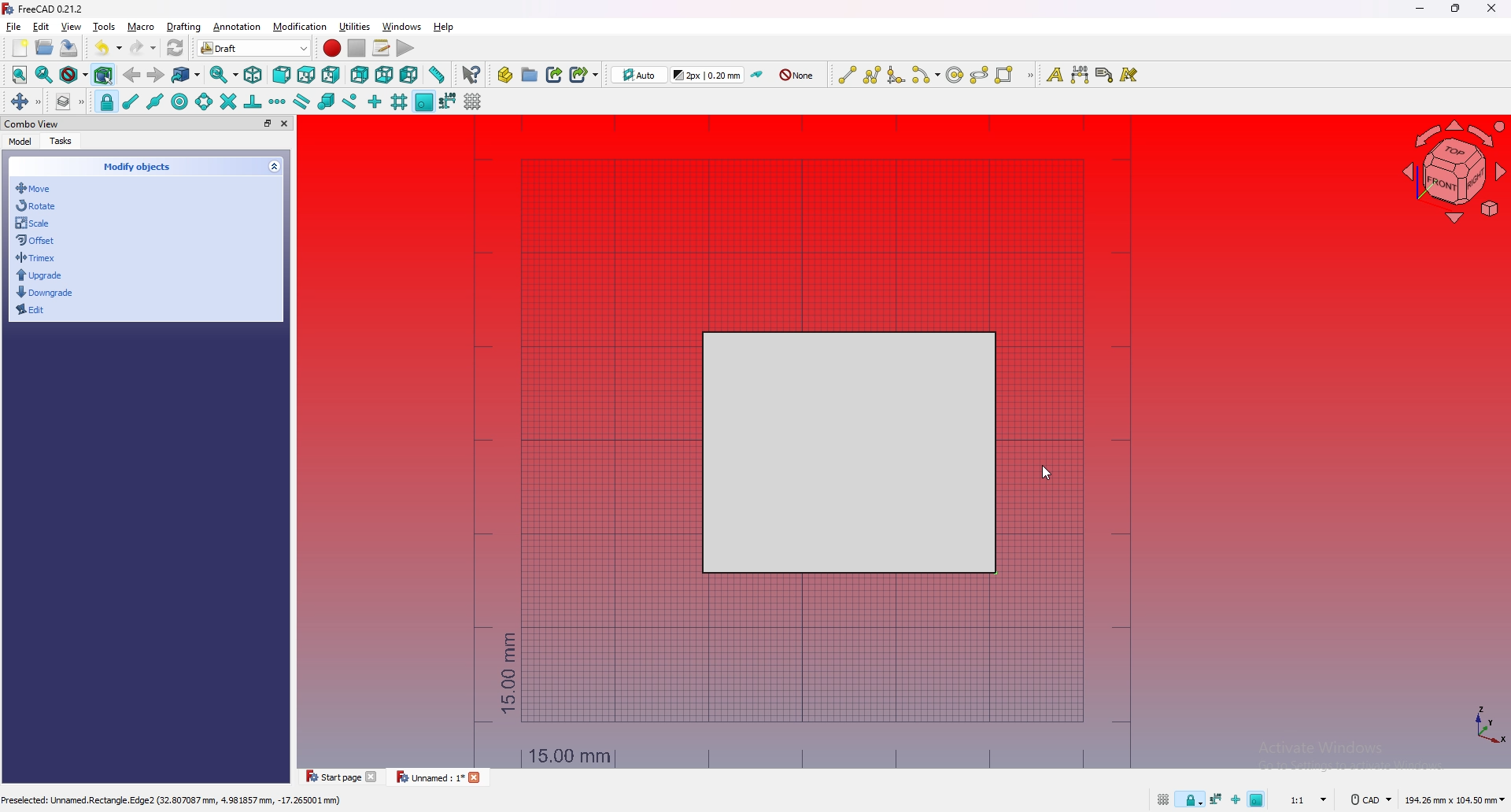 The width and height of the screenshot is (1511, 812). Describe the element at coordinates (872, 75) in the screenshot. I see `polyline` at that location.